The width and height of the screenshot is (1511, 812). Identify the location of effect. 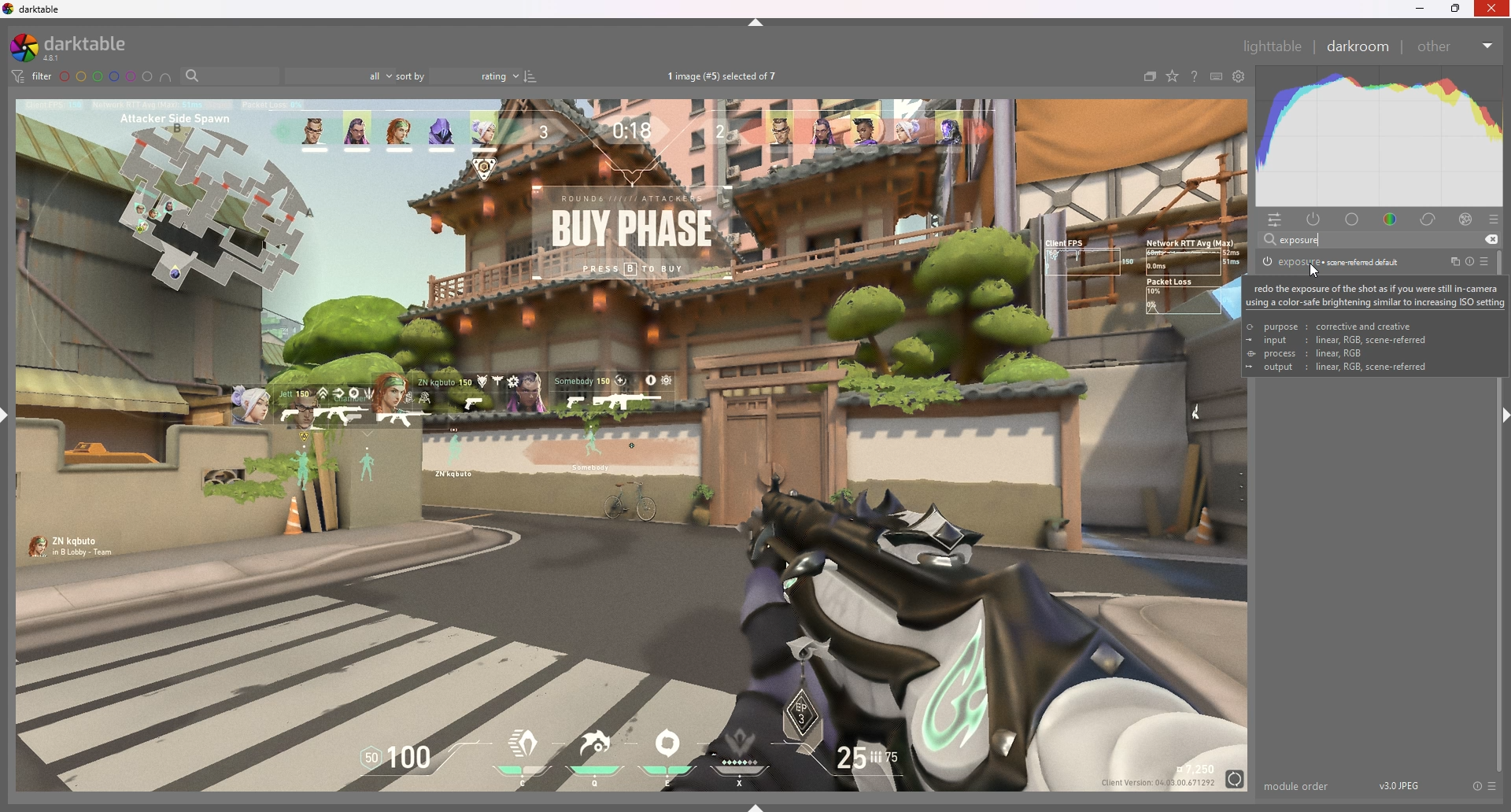
(1466, 220).